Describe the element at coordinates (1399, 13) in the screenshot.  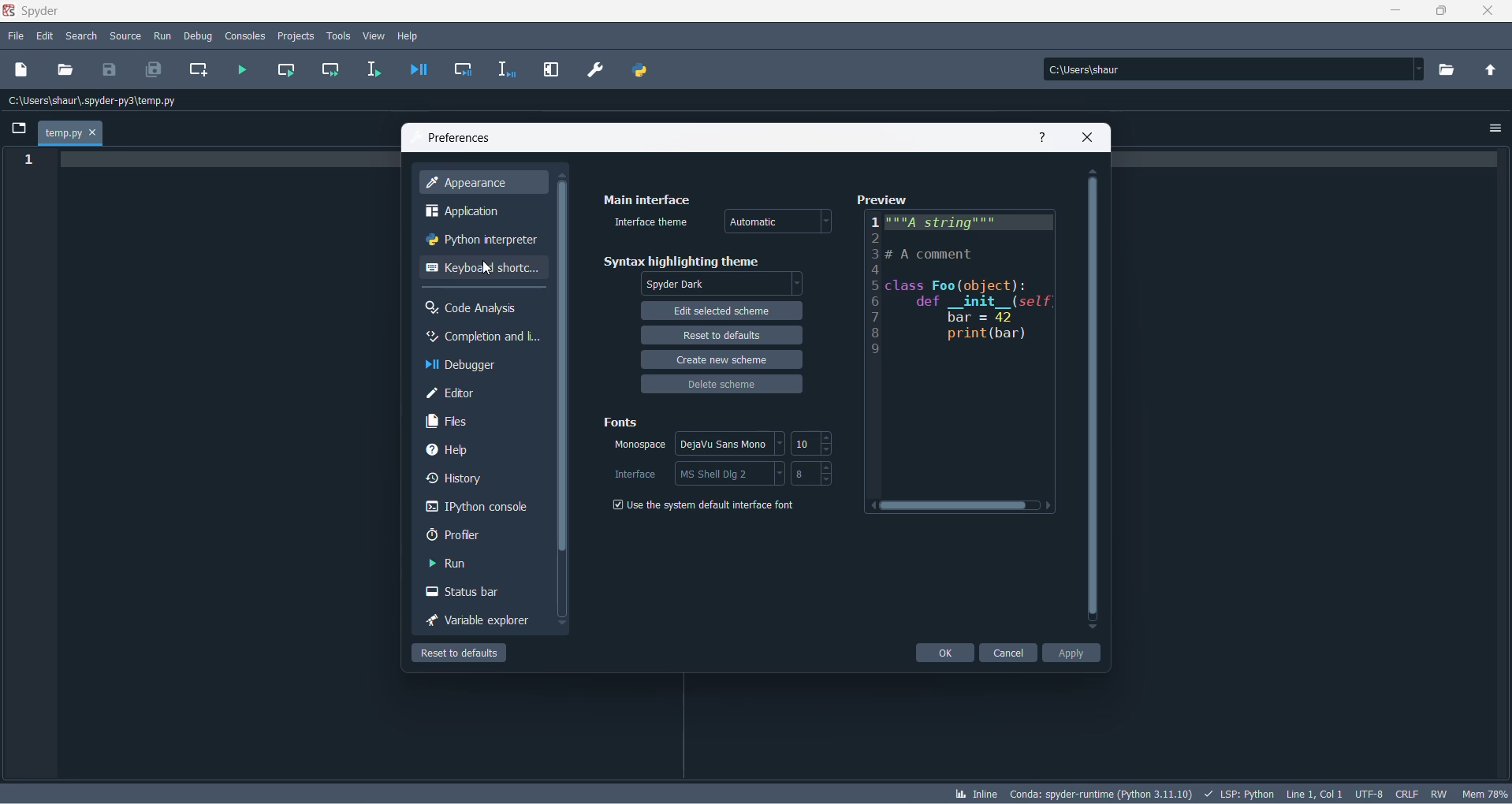
I see `minimize` at that location.